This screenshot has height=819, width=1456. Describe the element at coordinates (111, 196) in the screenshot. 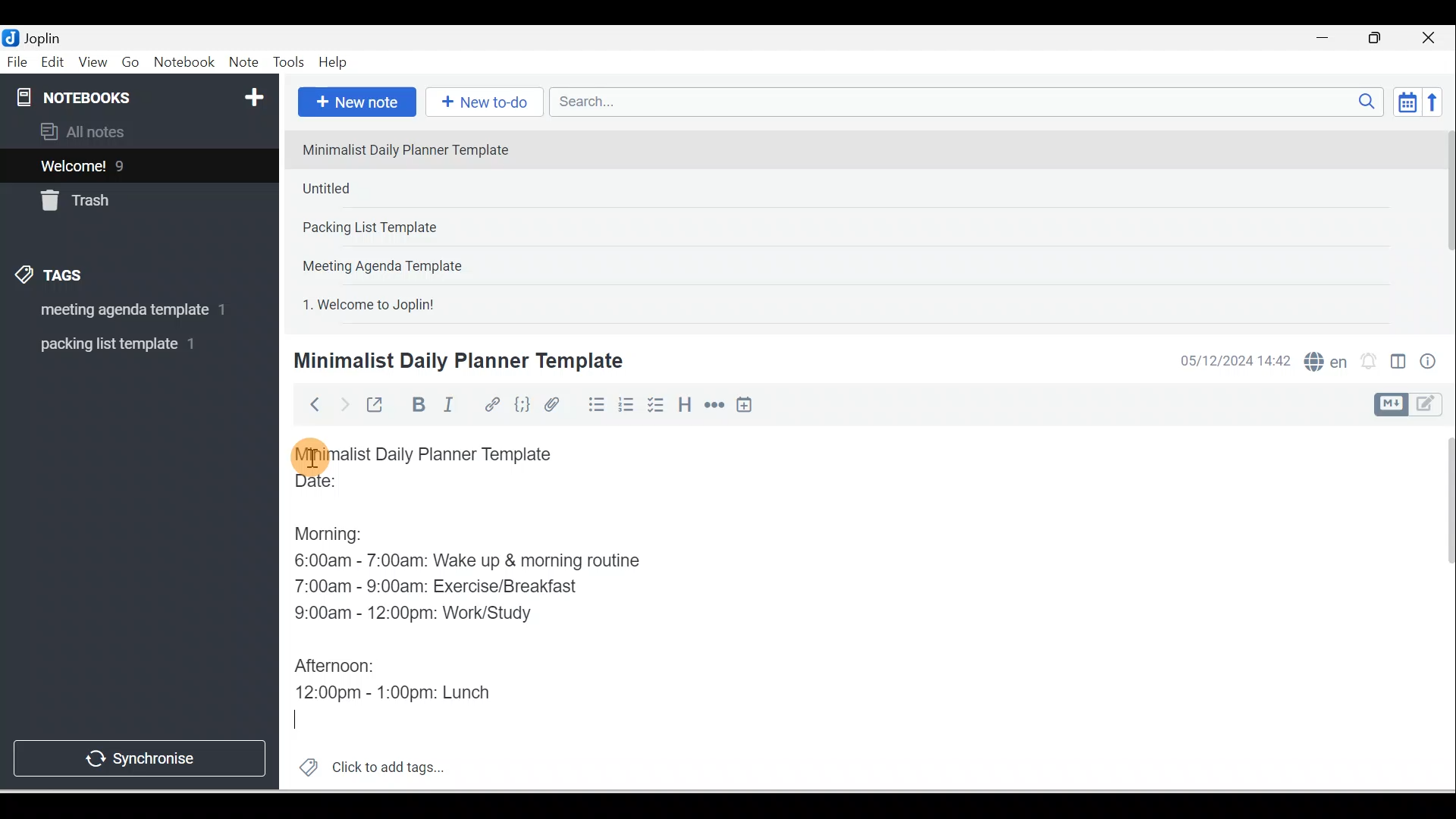

I see `Trash` at that location.